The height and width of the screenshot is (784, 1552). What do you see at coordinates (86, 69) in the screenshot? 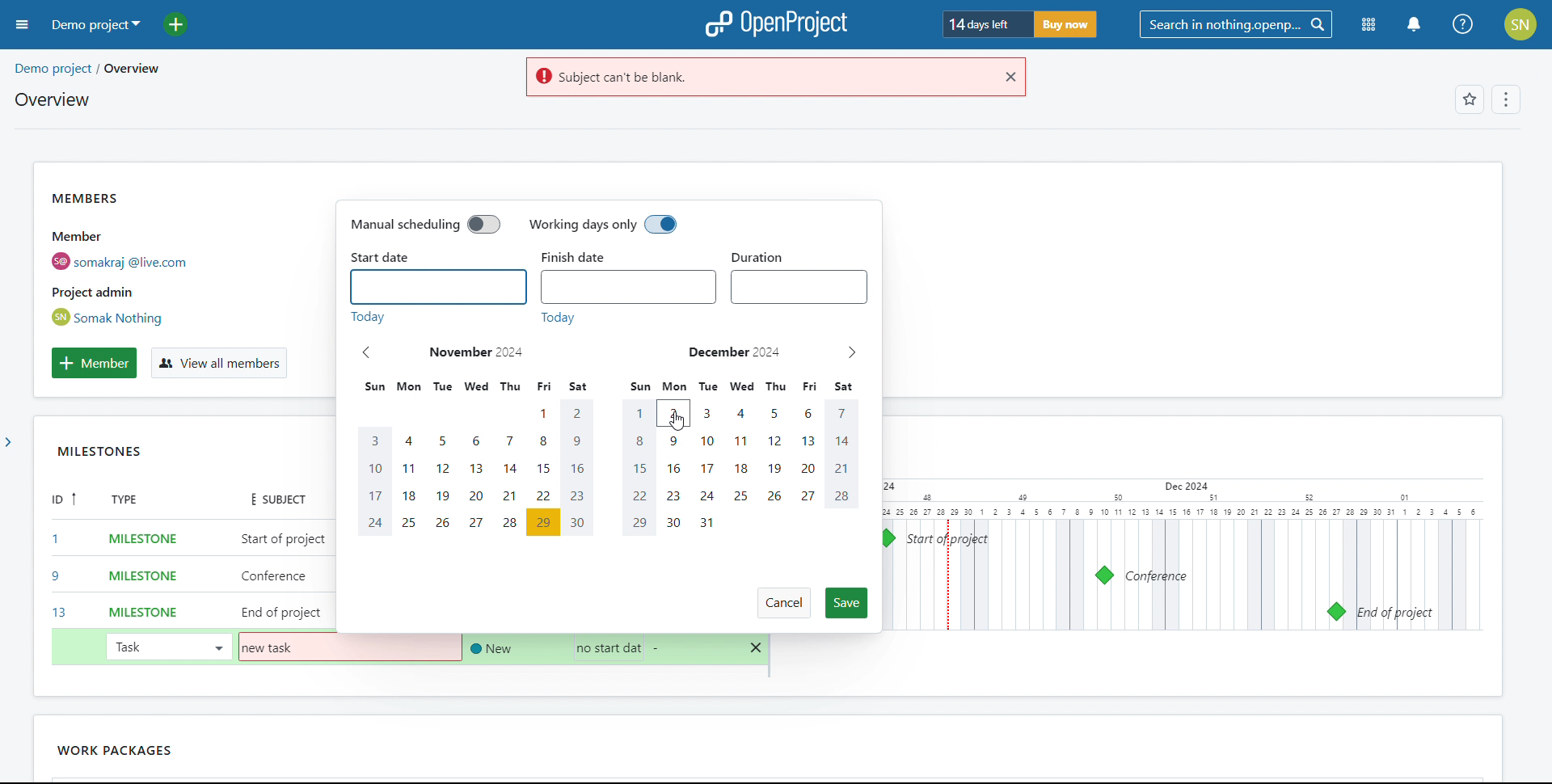
I see `demo project/overview` at bounding box center [86, 69].